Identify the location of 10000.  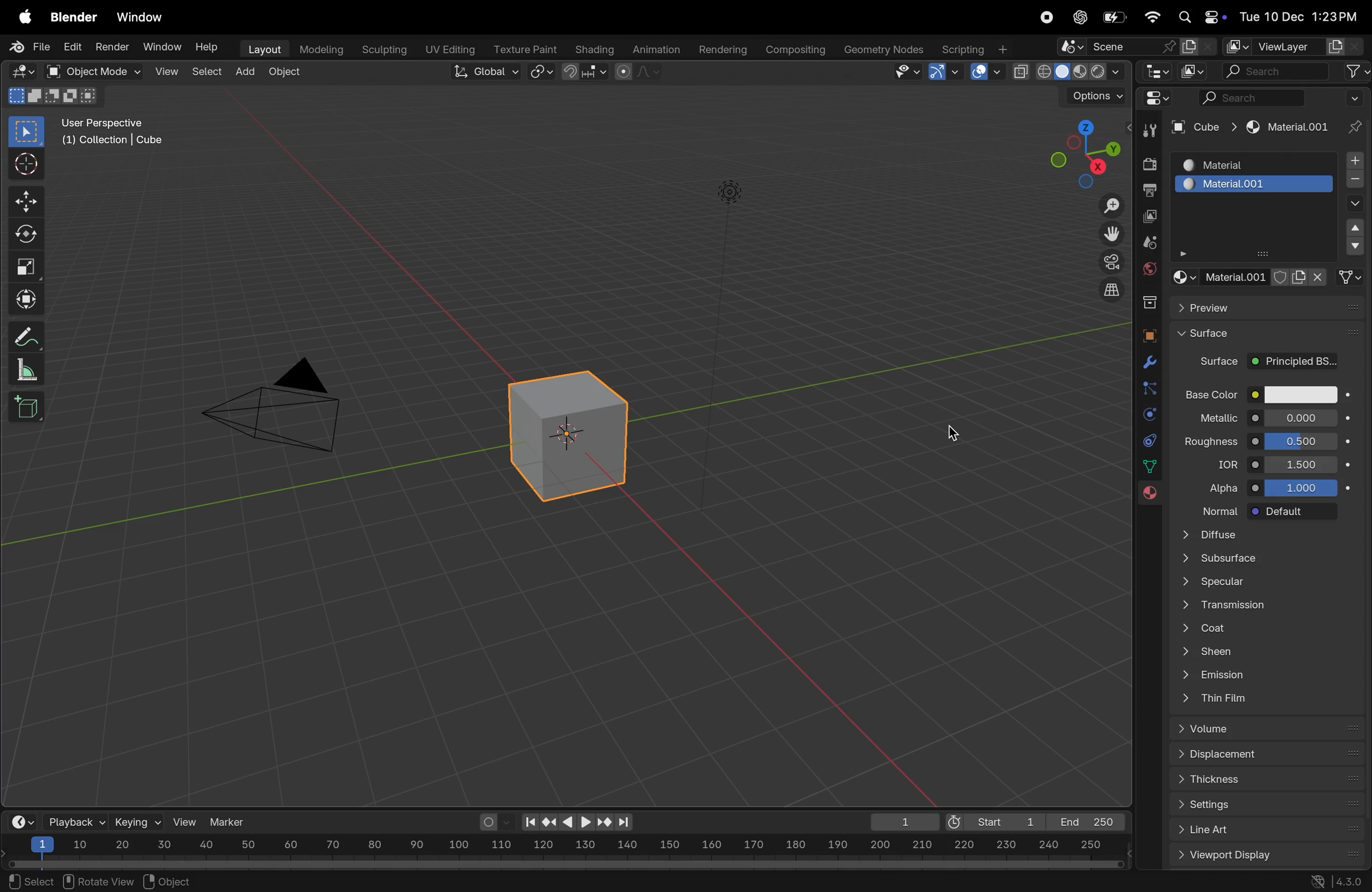
(1301, 487).